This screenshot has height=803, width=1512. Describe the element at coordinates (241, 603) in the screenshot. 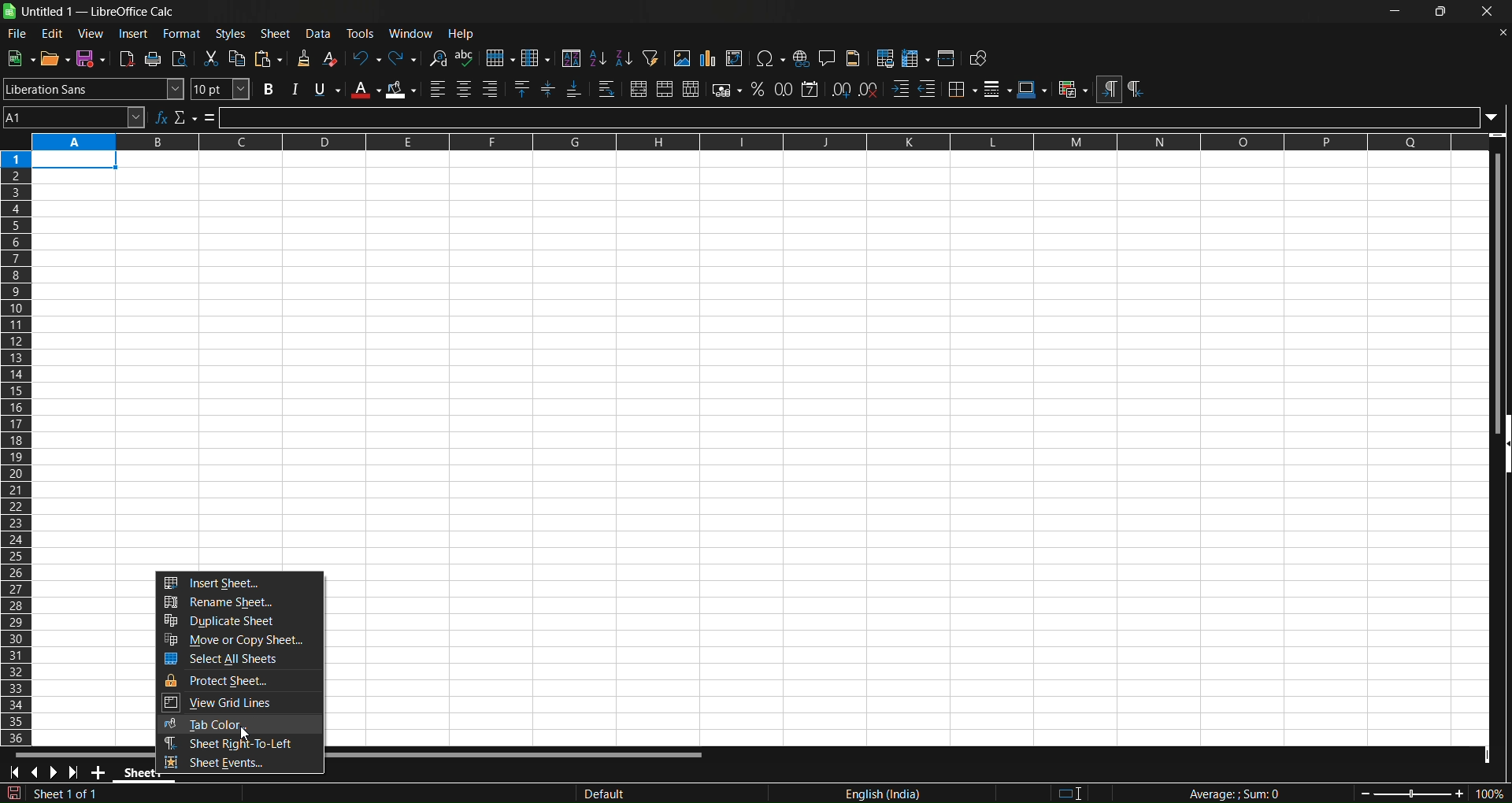

I see `rename sheet` at that location.